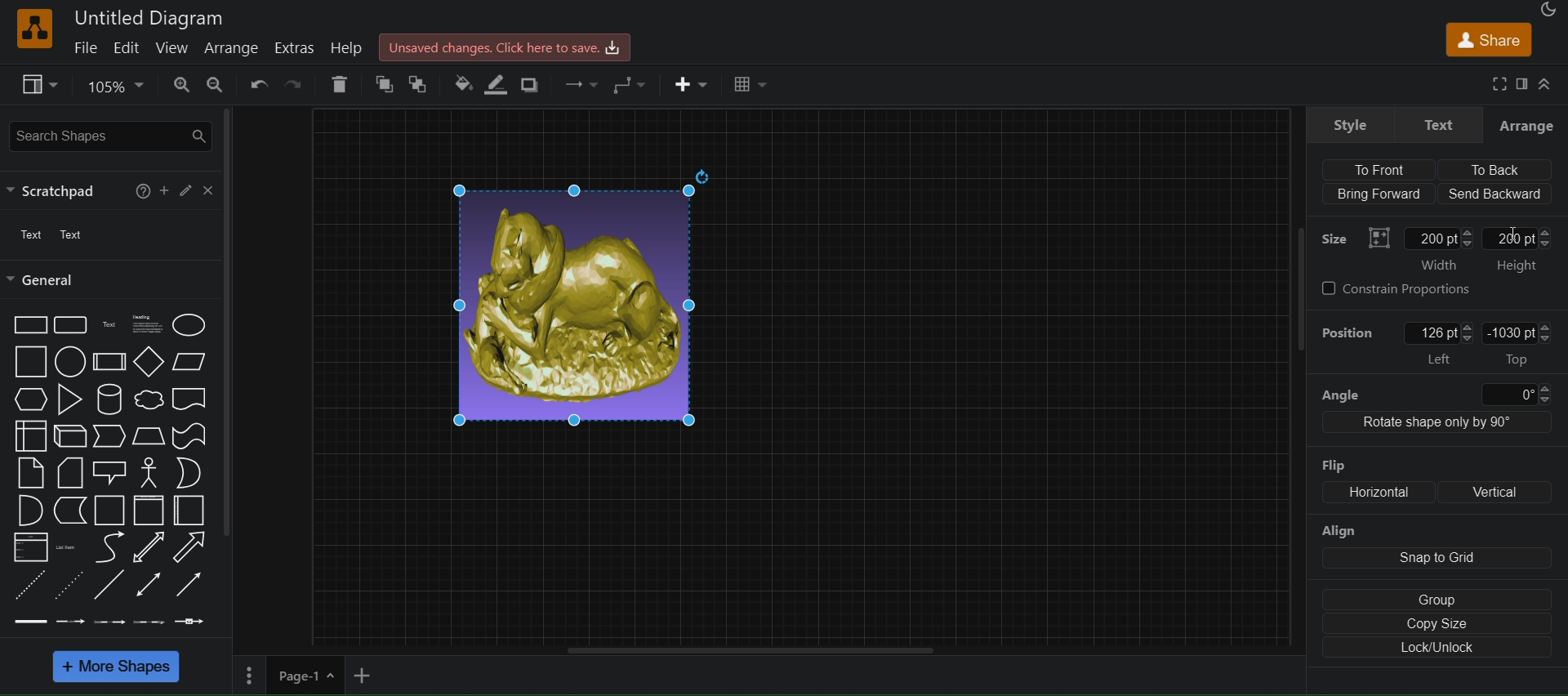 This screenshot has height=696, width=1568. Describe the element at coordinates (505, 46) in the screenshot. I see `Unsaved changes.Click here to save.` at that location.